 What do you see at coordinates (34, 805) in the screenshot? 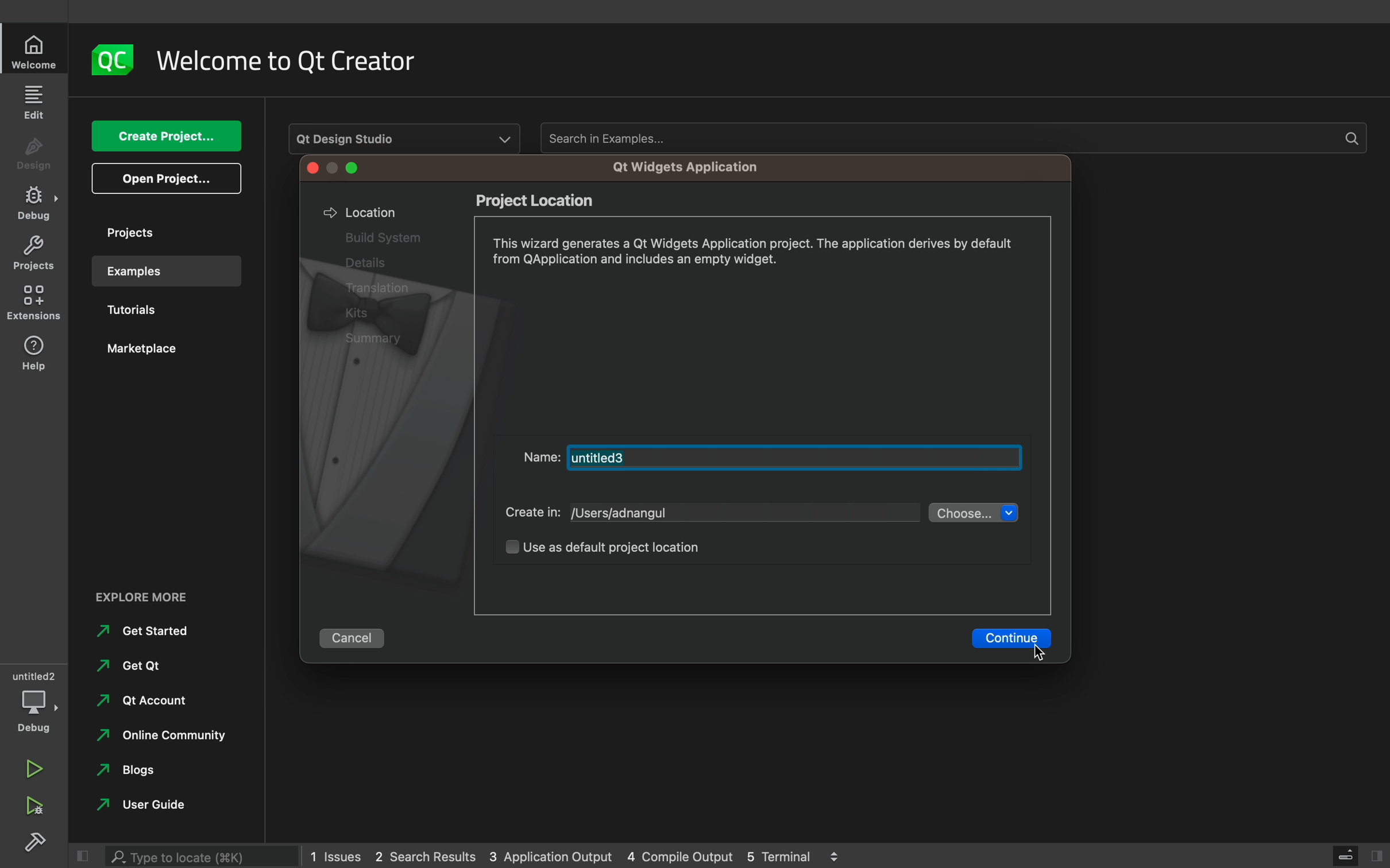
I see `debug and run` at bounding box center [34, 805].